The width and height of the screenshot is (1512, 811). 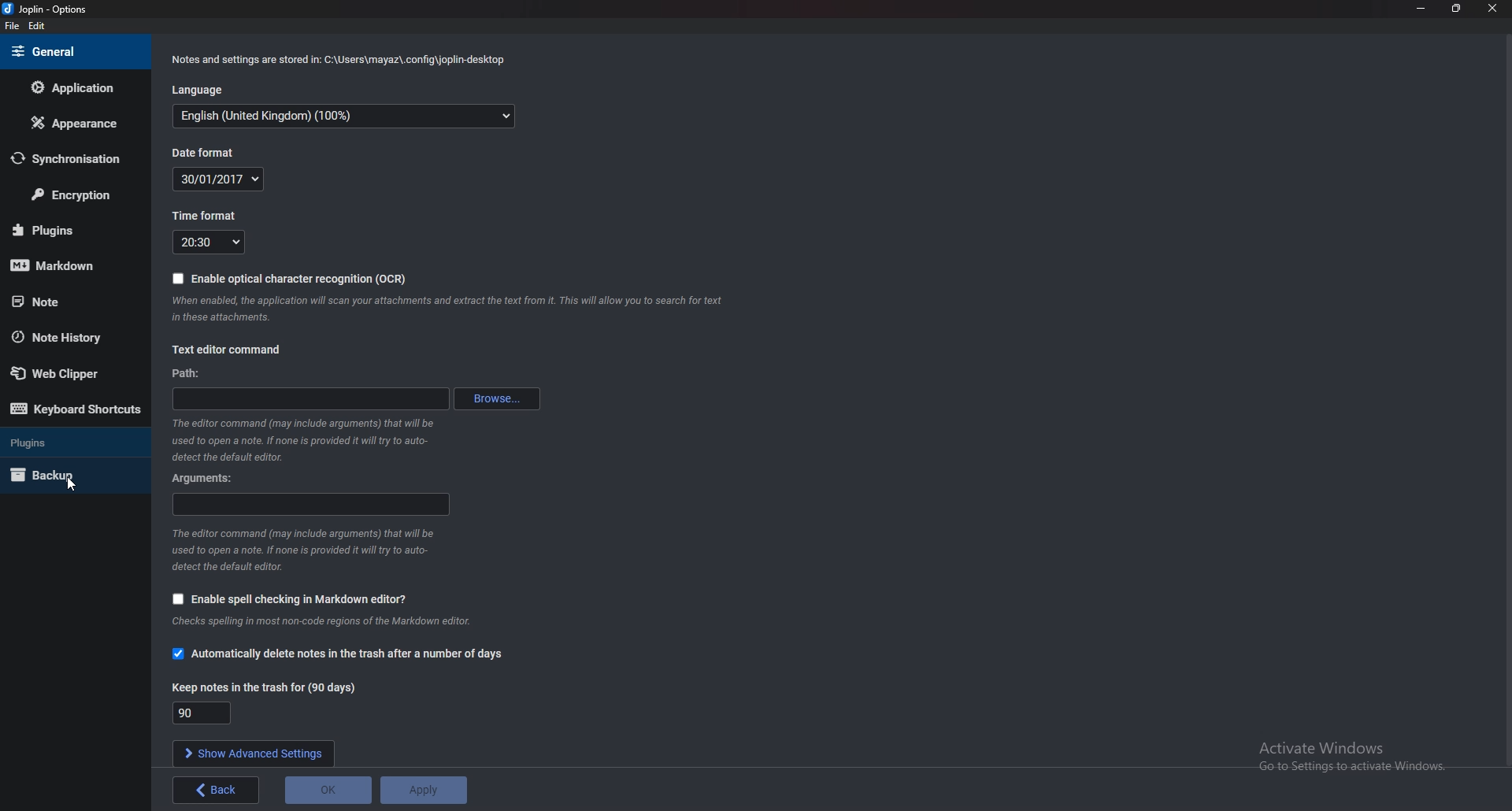 I want to click on Language, so click(x=197, y=90).